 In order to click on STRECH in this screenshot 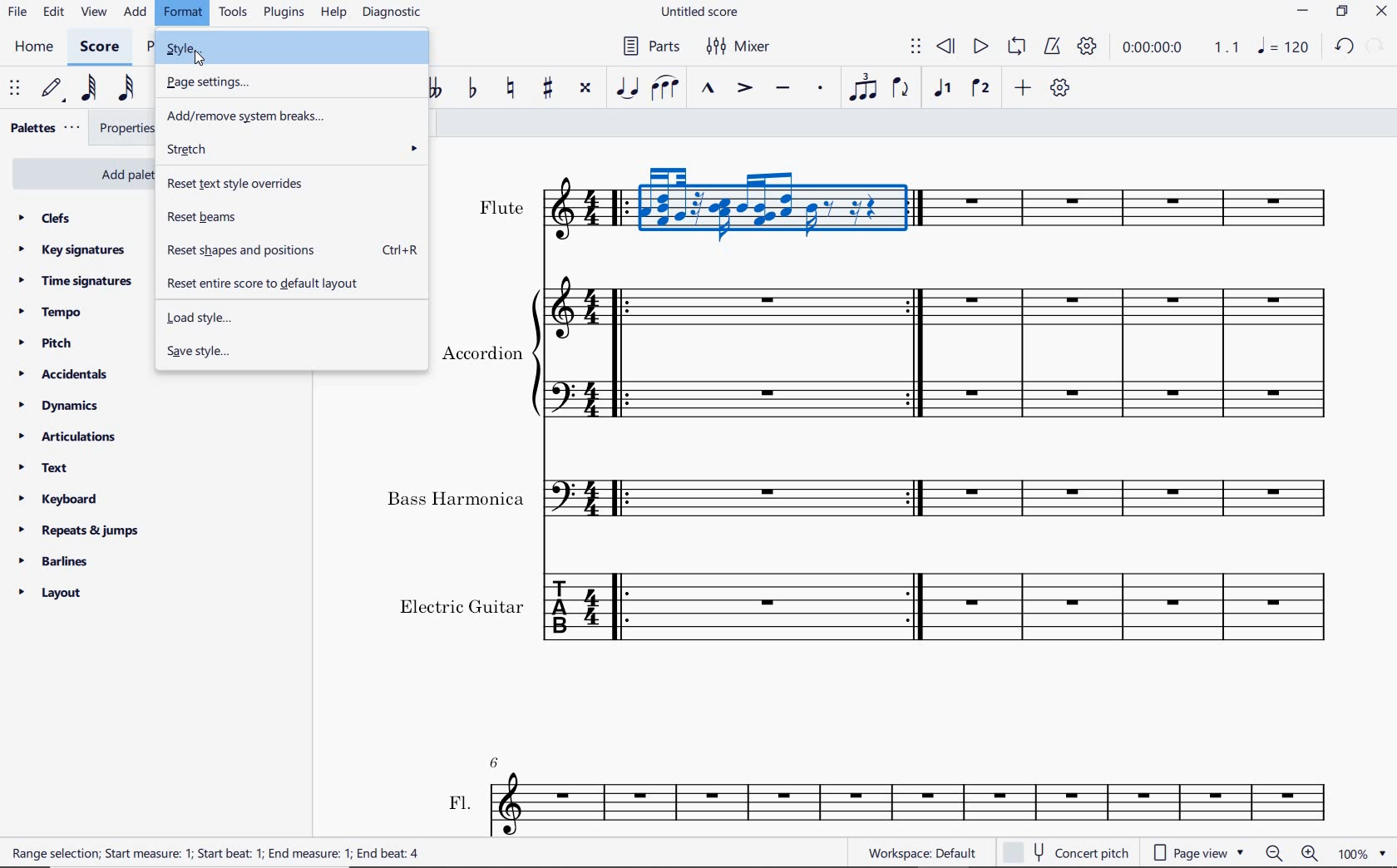, I will do `click(292, 150)`.